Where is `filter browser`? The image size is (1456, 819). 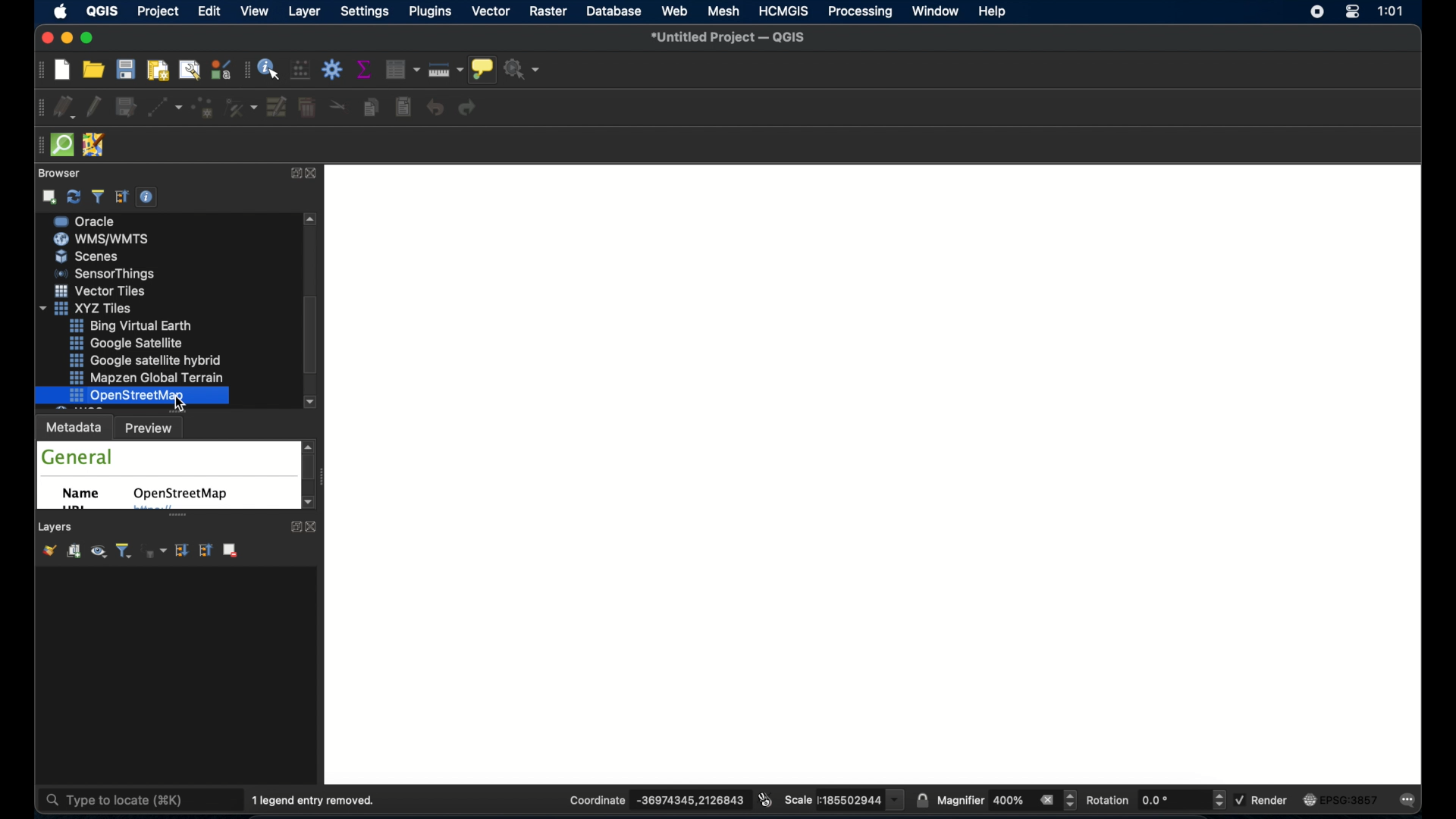
filter browser is located at coordinates (96, 196).